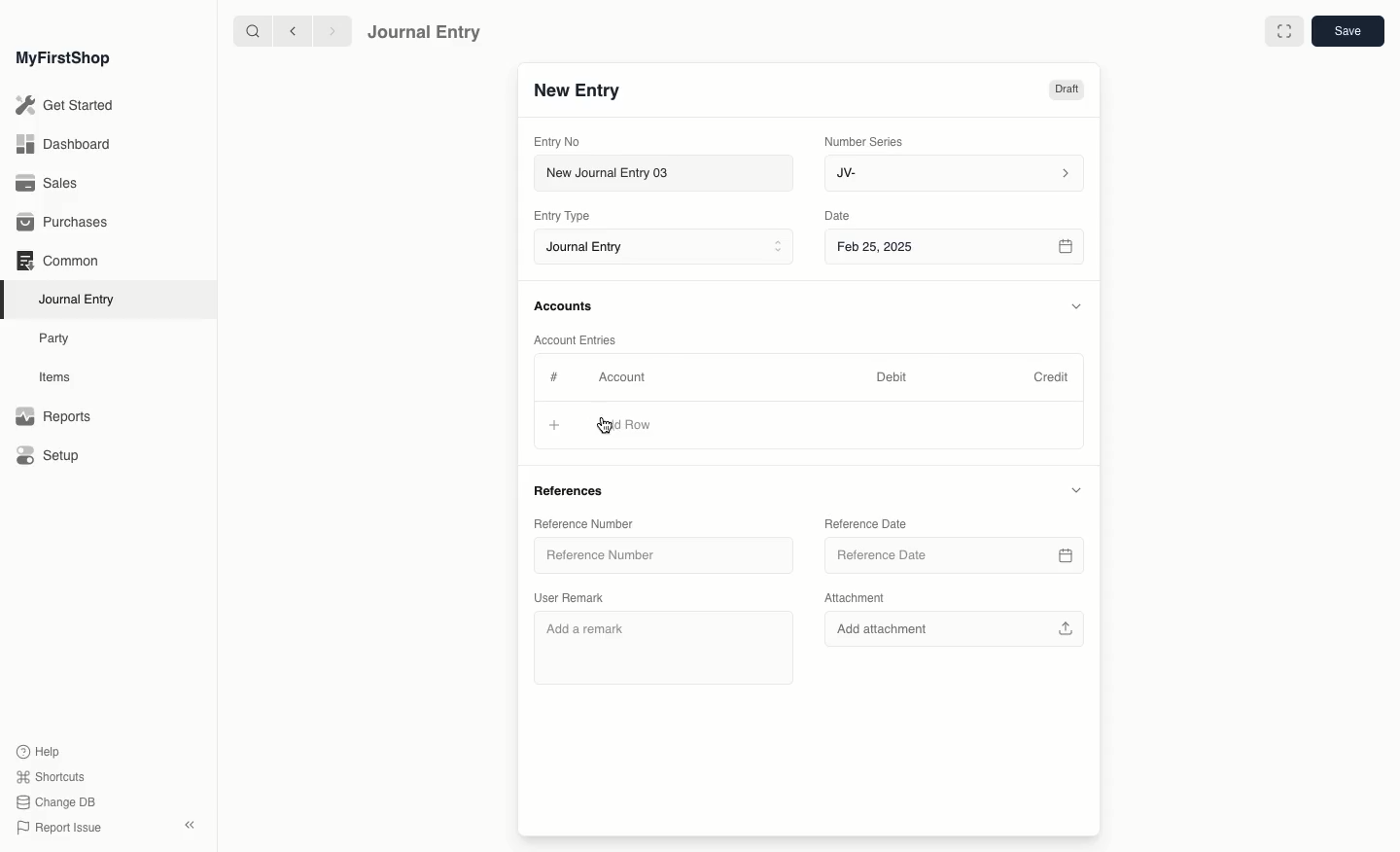 The height and width of the screenshot is (852, 1400). I want to click on Entry No, so click(558, 141).